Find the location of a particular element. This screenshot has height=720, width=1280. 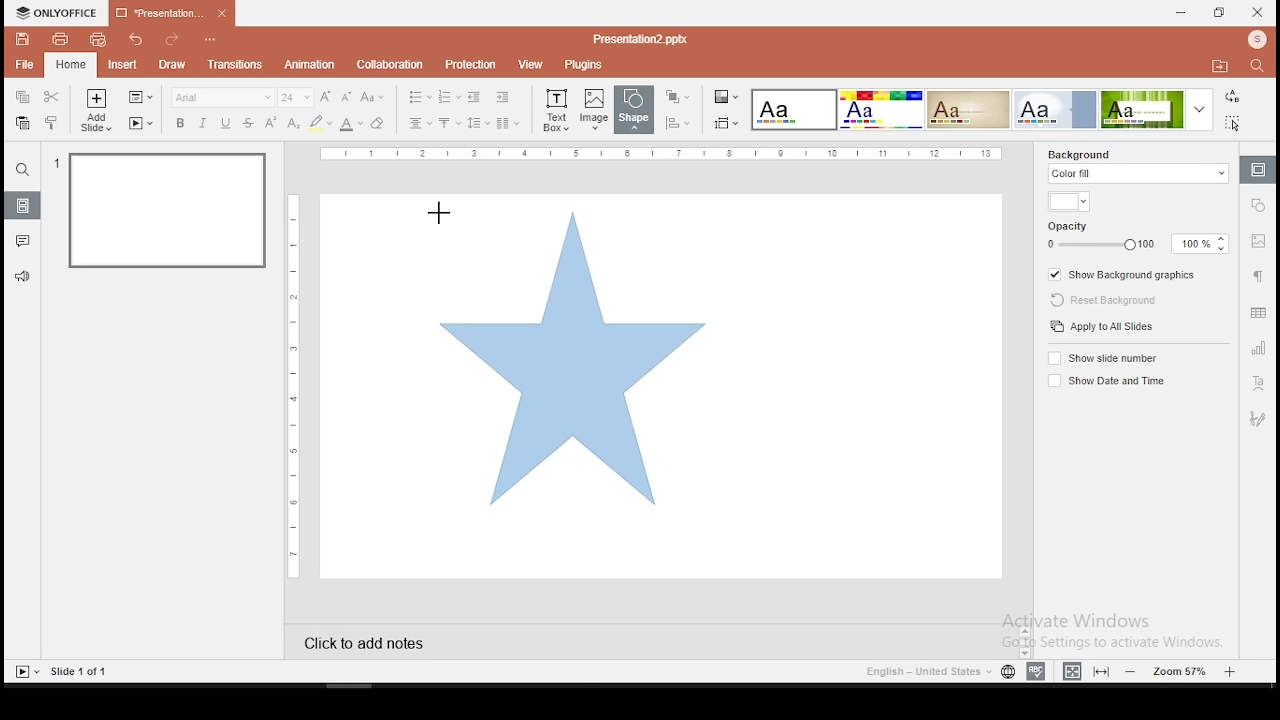

theme is located at coordinates (880, 110).